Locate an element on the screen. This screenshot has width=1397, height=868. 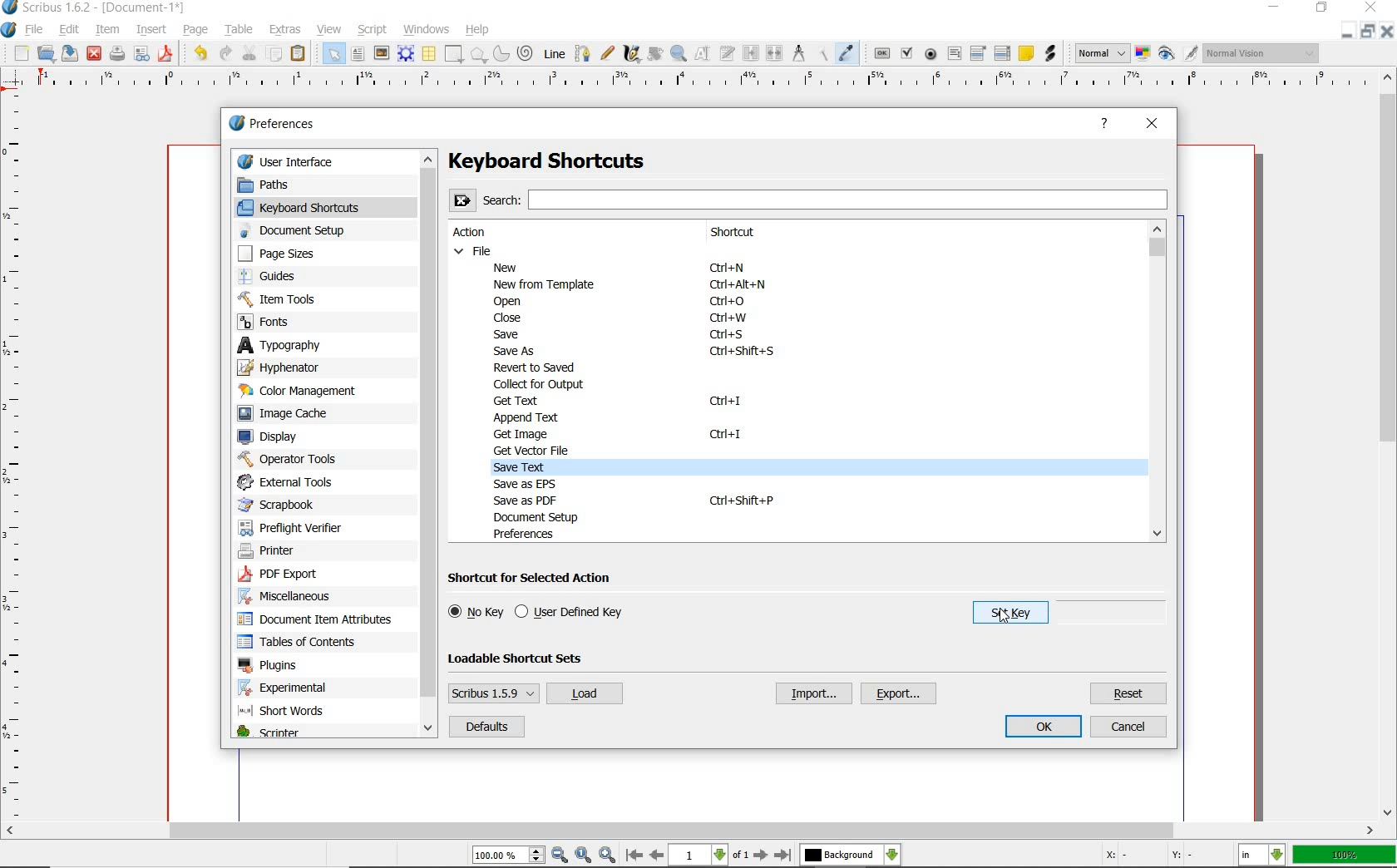
extras is located at coordinates (288, 30).